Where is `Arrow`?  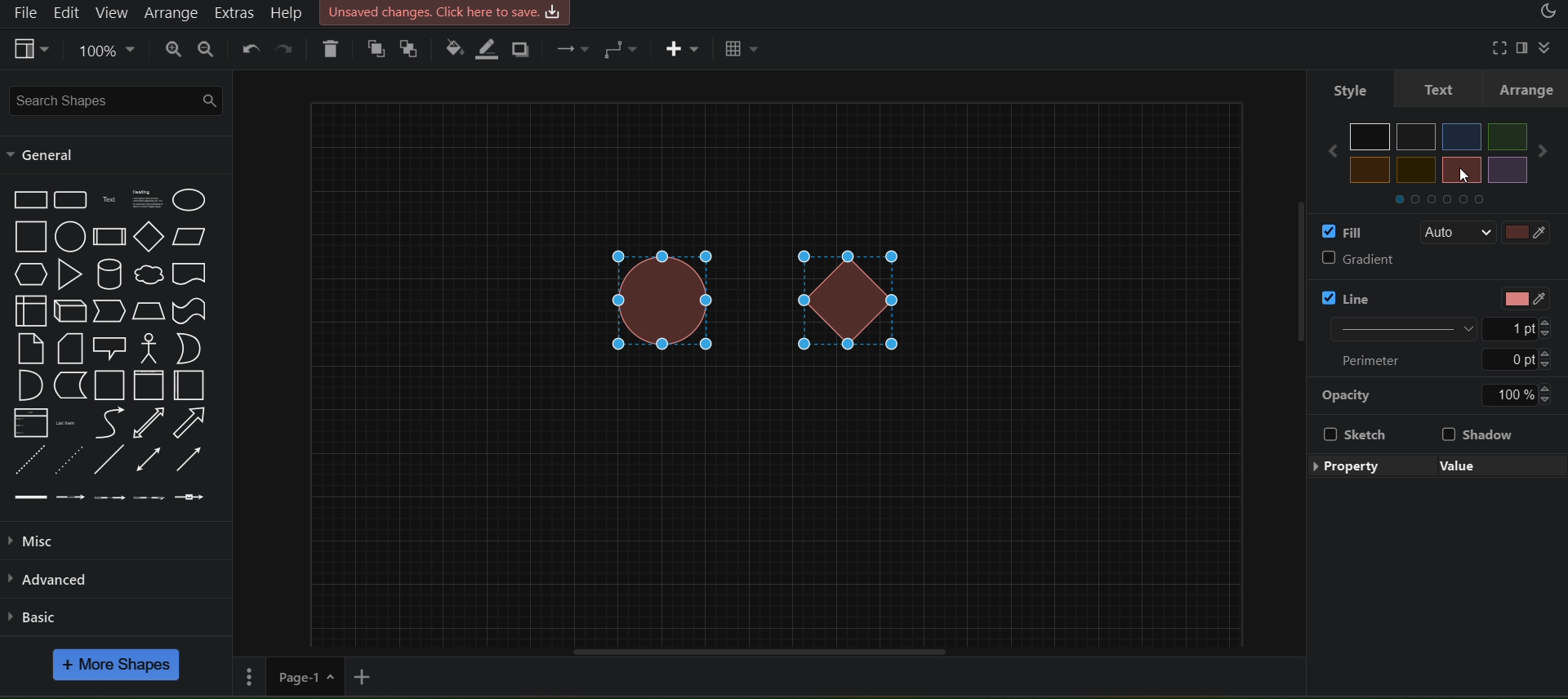 Arrow is located at coordinates (192, 423).